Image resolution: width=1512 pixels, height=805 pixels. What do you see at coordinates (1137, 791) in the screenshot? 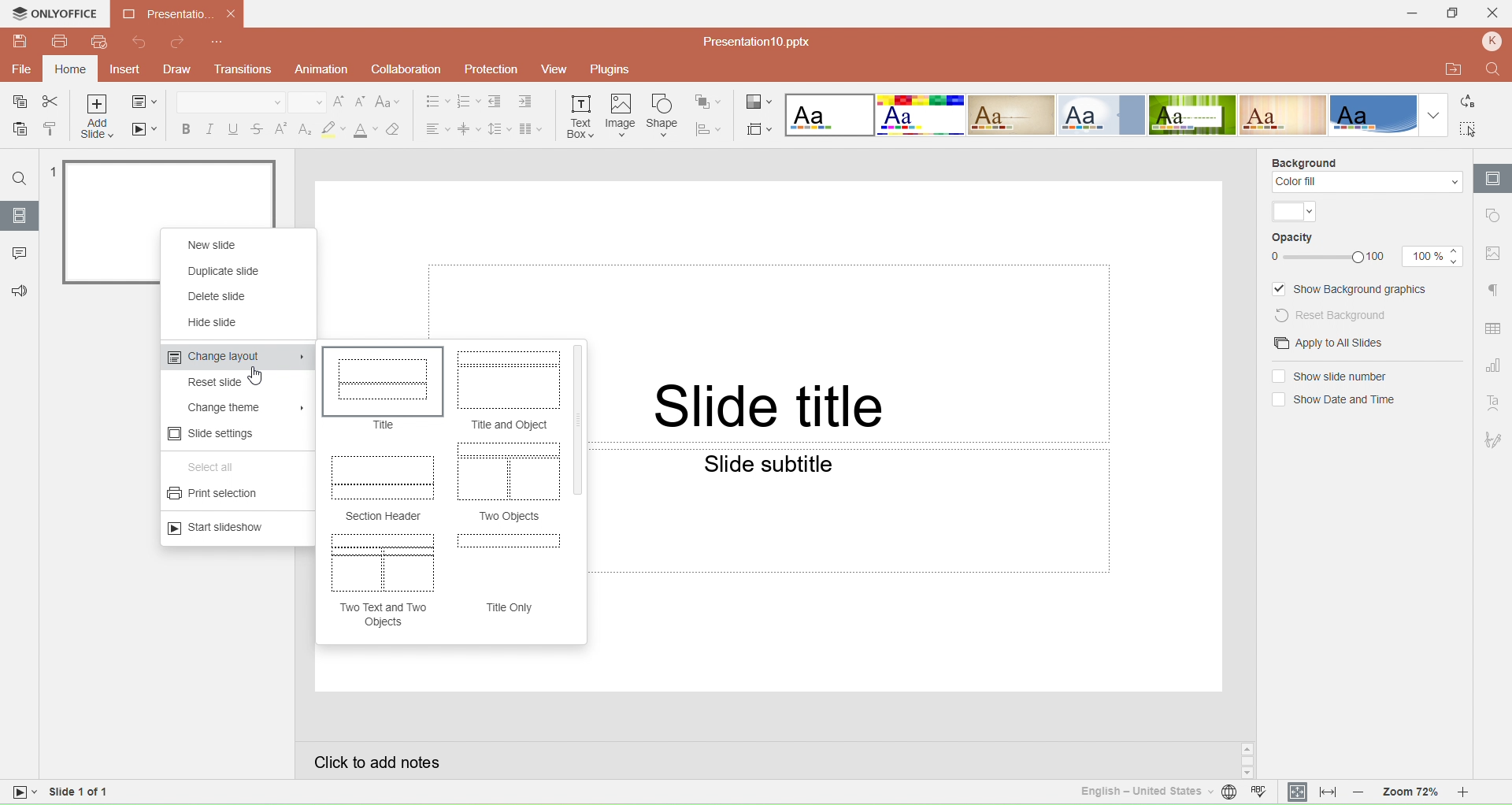
I see `Set text language` at bounding box center [1137, 791].